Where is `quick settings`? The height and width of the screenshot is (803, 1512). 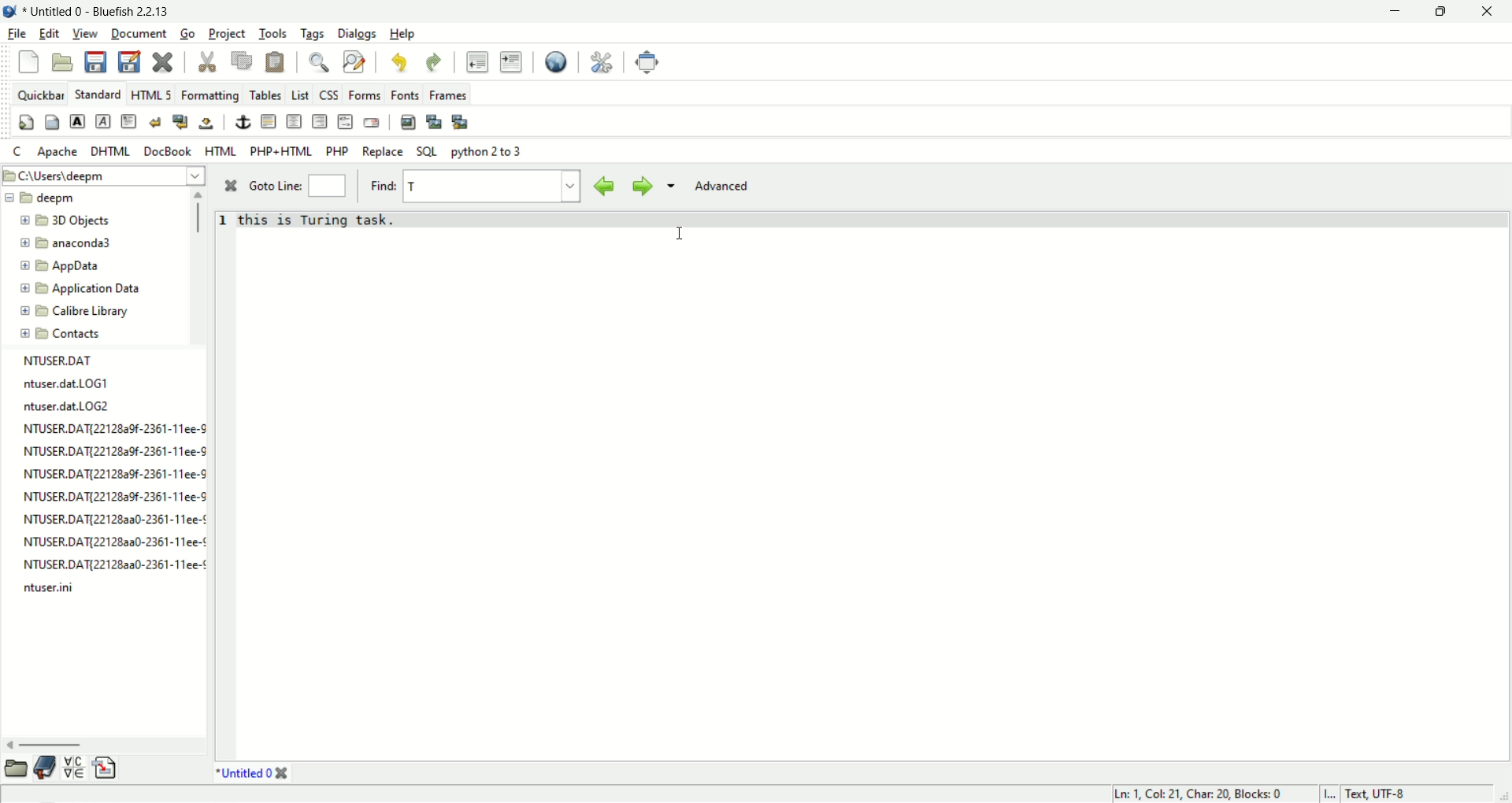 quick settings is located at coordinates (27, 124).